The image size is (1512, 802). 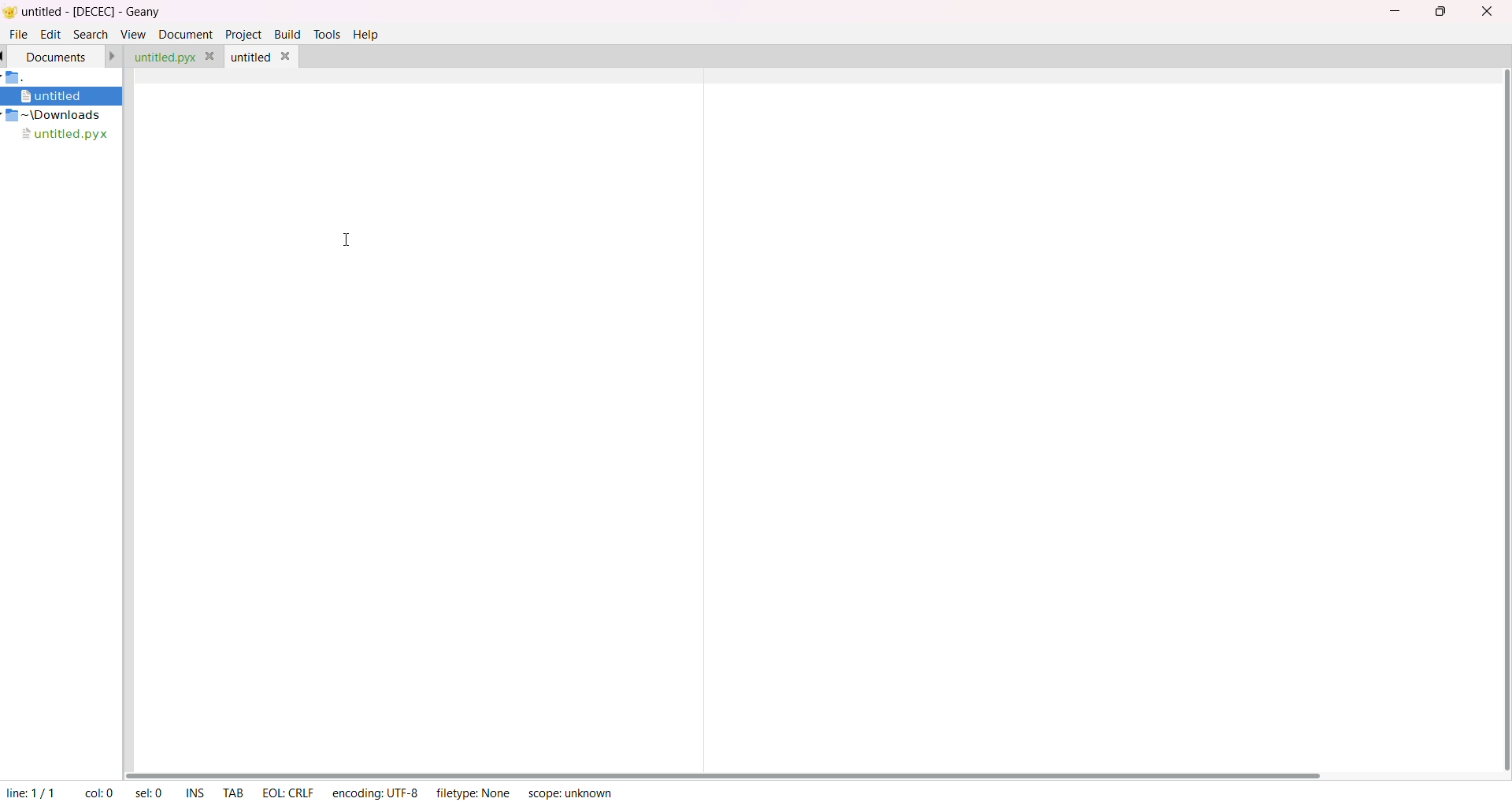 What do you see at coordinates (1443, 11) in the screenshot?
I see `maximize` at bounding box center [1443, 11].